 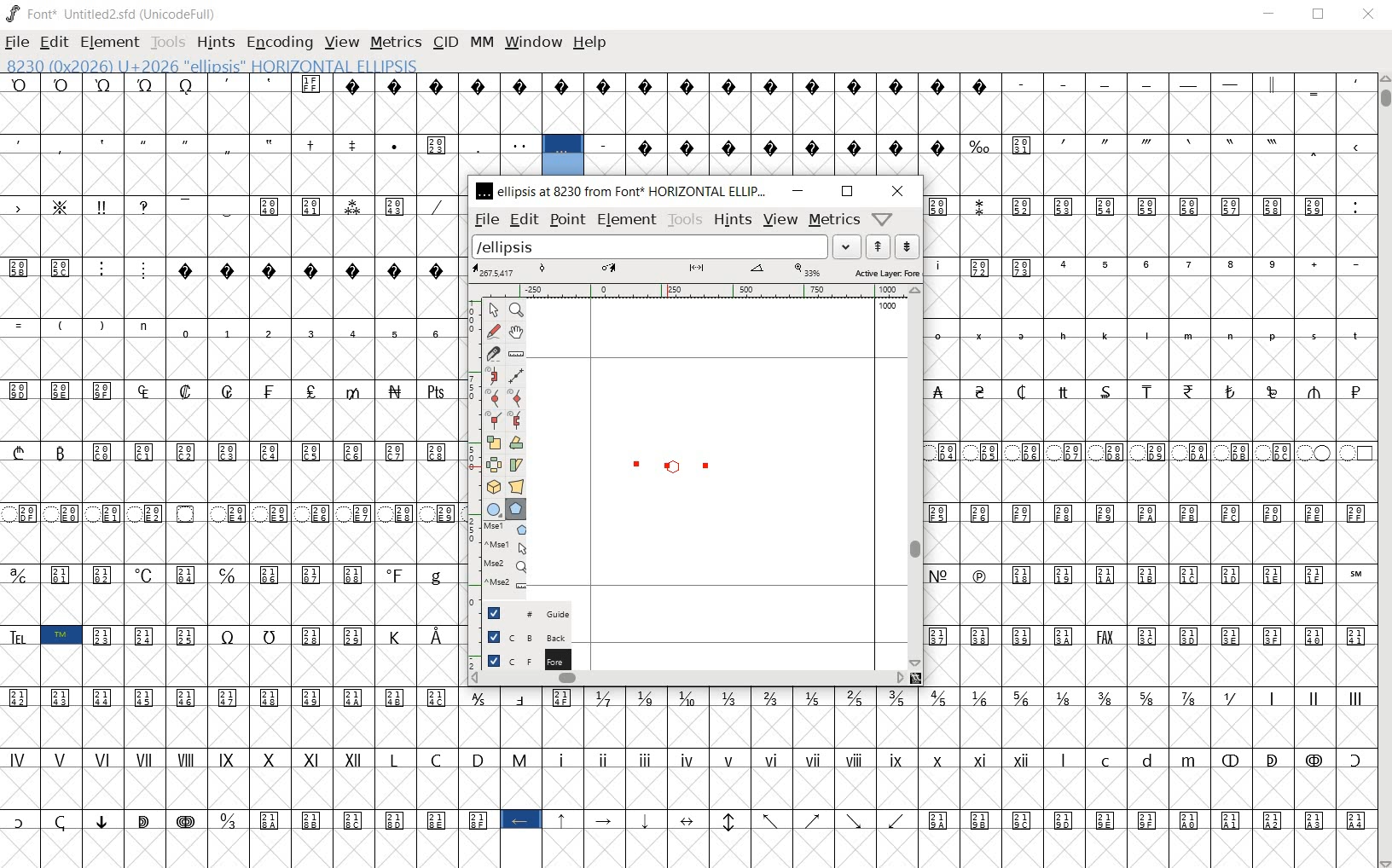 What do you see at coordinates (493, 375) in the screenshot?
I see `change whether spiro is active or not` at bounding box center [493, 375].